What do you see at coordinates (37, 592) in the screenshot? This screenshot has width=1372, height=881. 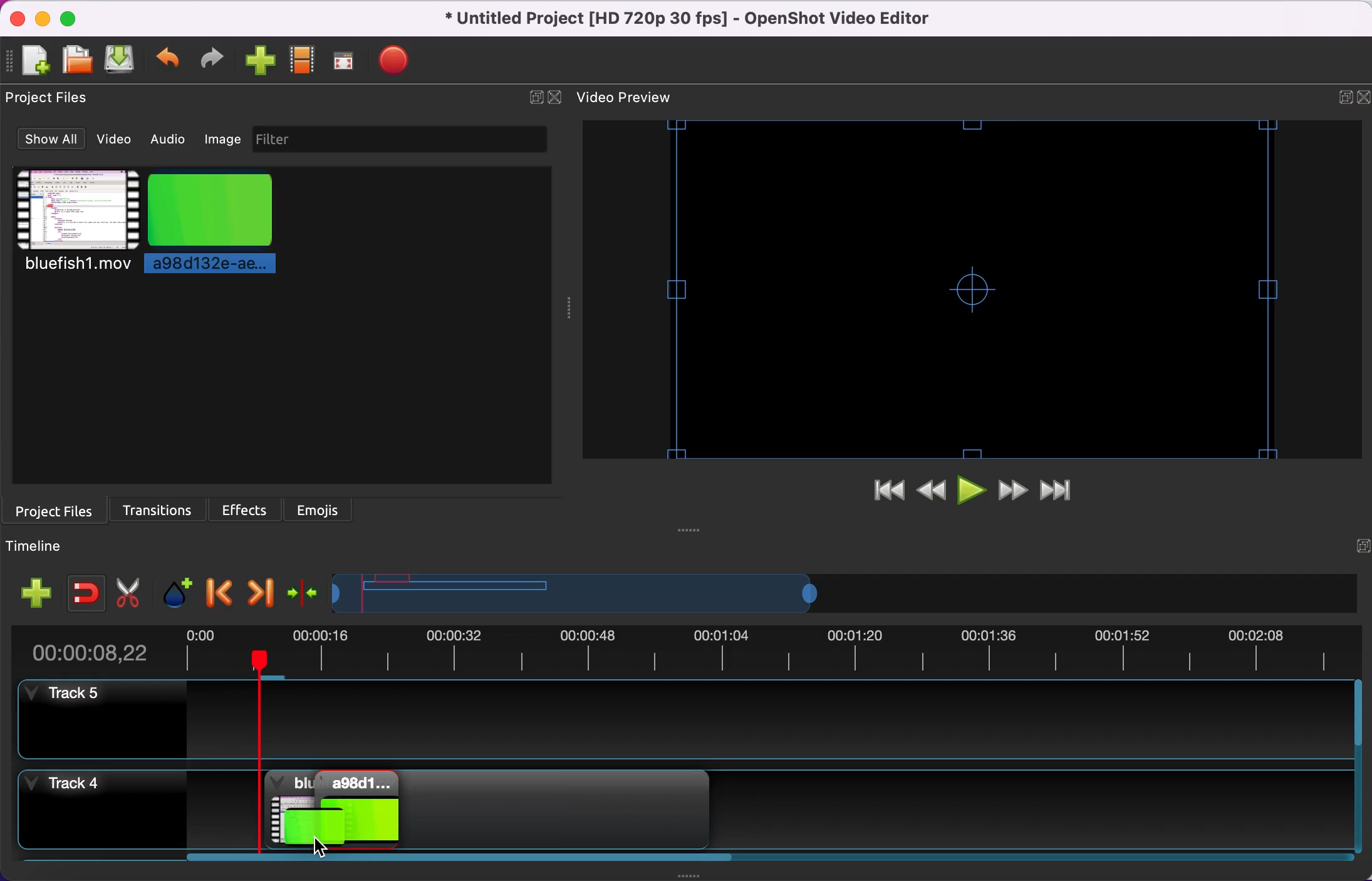 I see `add track` at bounding box center [37, 592].